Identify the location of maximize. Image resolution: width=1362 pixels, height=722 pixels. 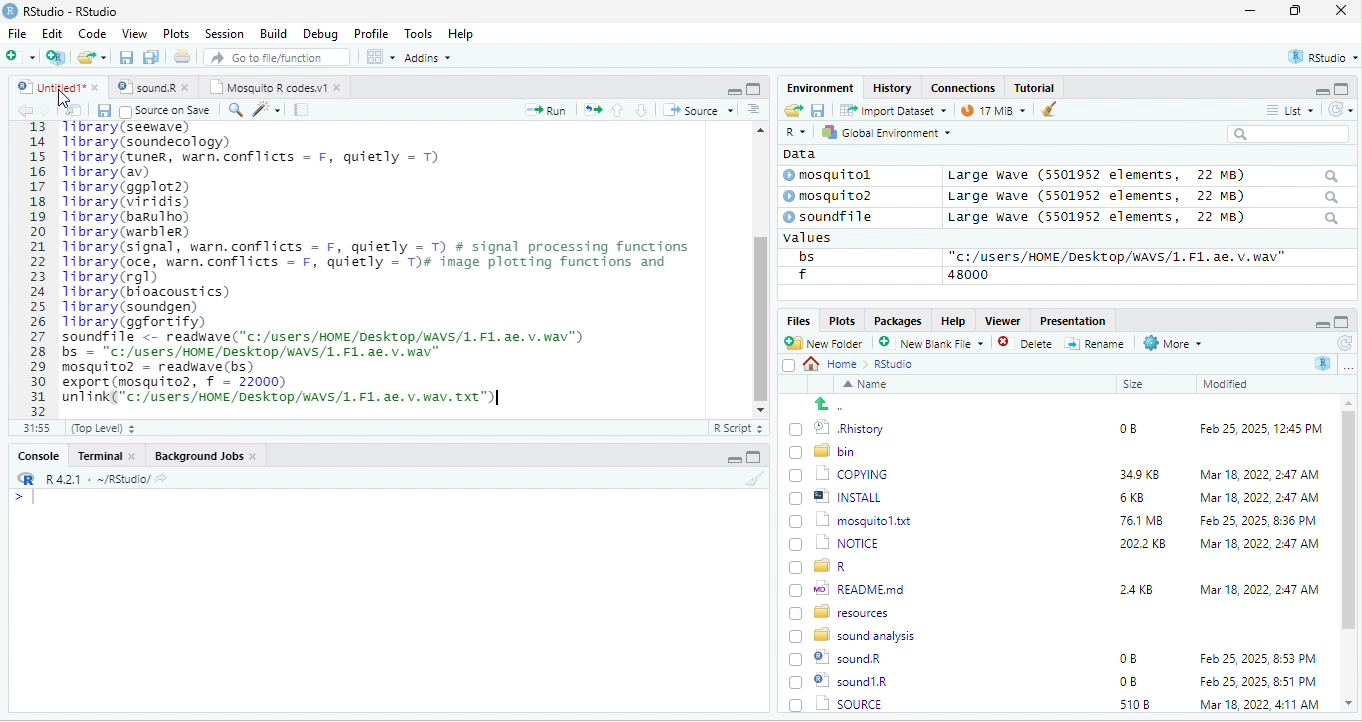
(753, 88).